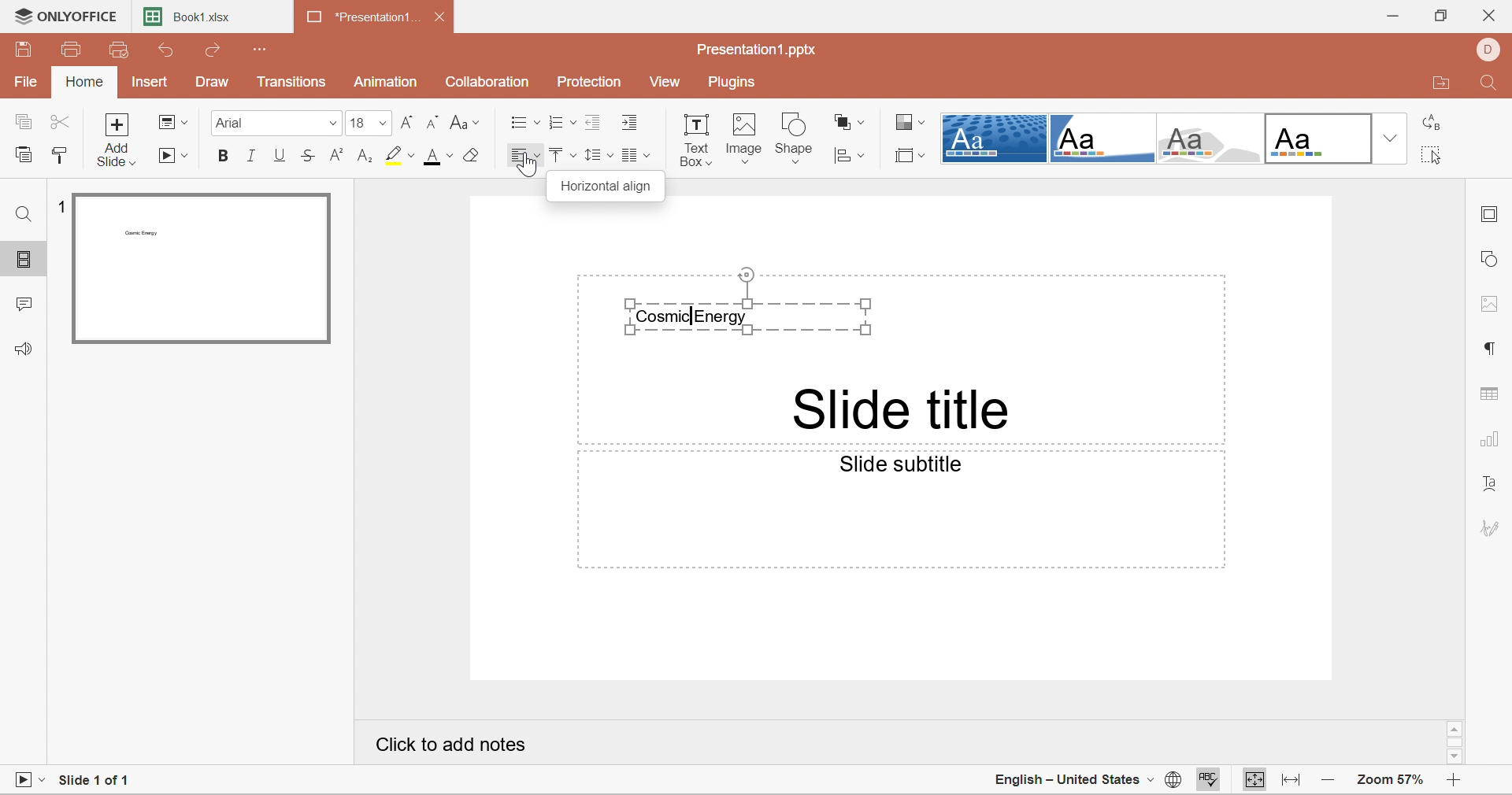 The height and width of the screenshot is (795, 1512). Describe the element at coordinates (901, 409) in the screenshot. I see `Slide title` at that location.